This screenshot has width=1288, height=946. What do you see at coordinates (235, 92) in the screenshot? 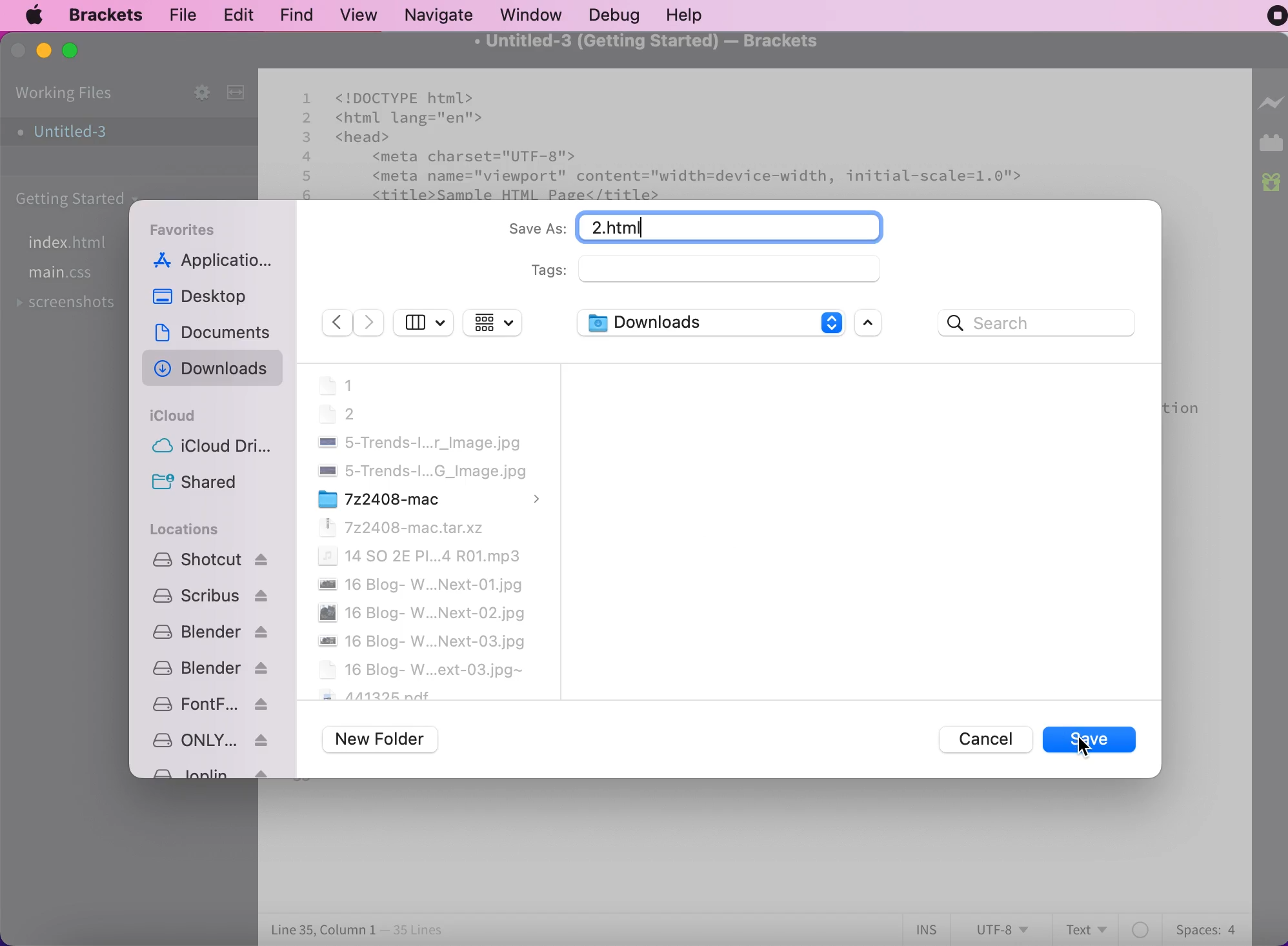
I see `split the editor vertically or horizontally` at bounding box center [235, 92].